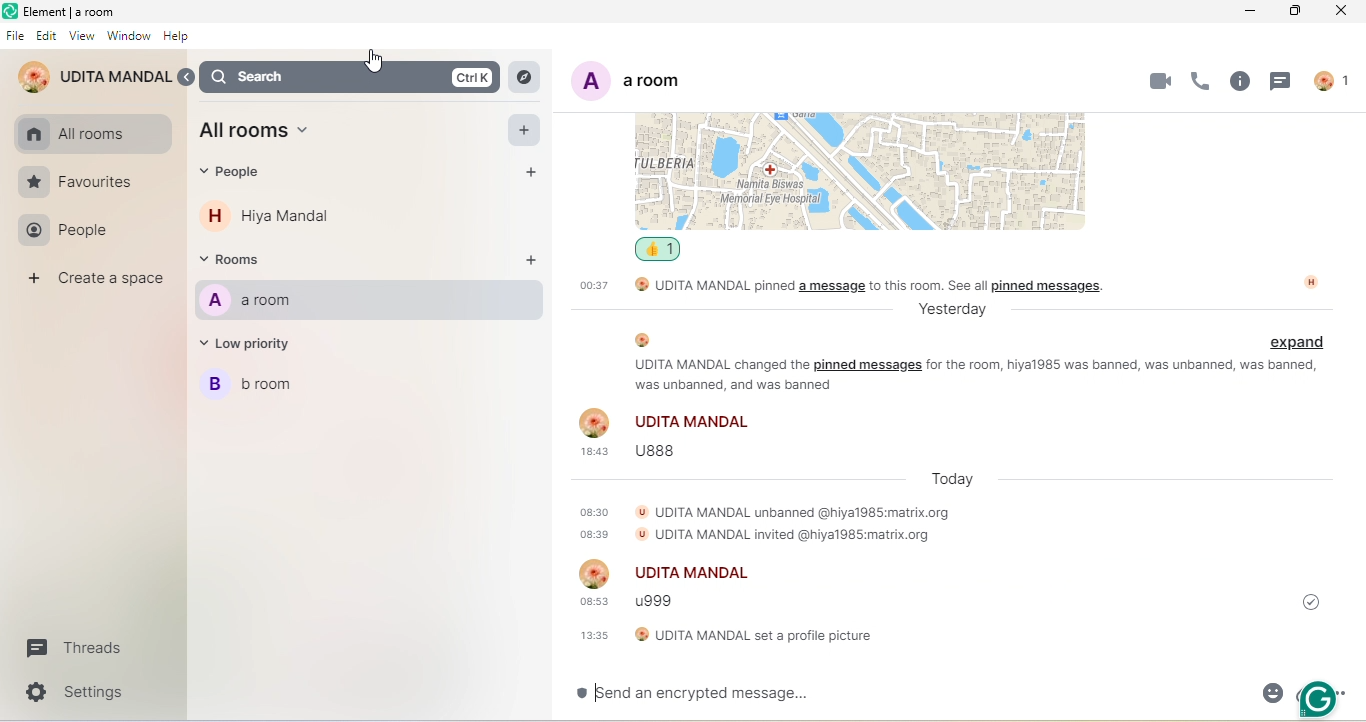  Describe the element at coordinates (178, 37) in the screenshot. I see `Help` at that location.